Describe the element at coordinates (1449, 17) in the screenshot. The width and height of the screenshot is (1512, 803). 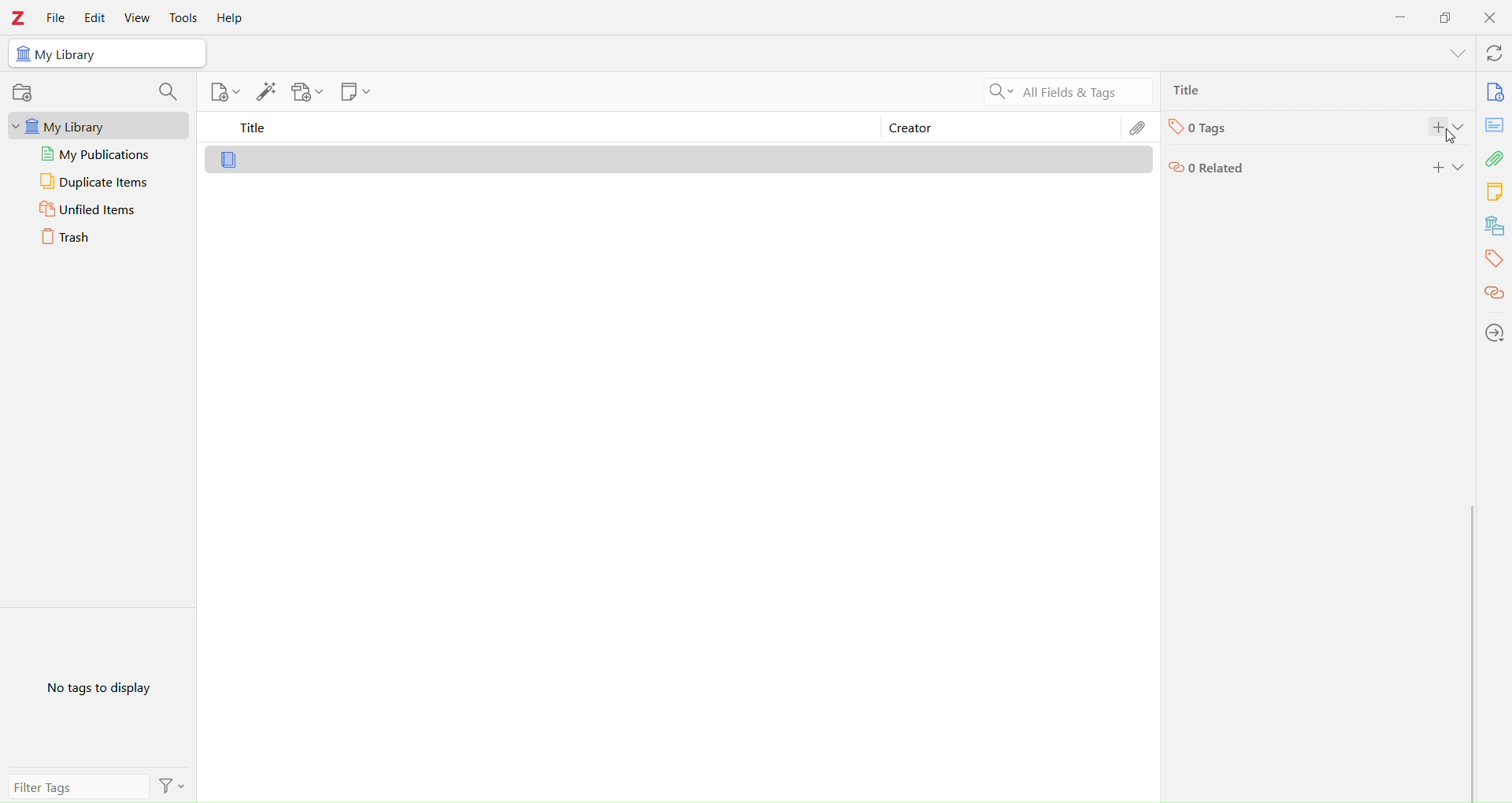
I see `Duplicate` at that location.